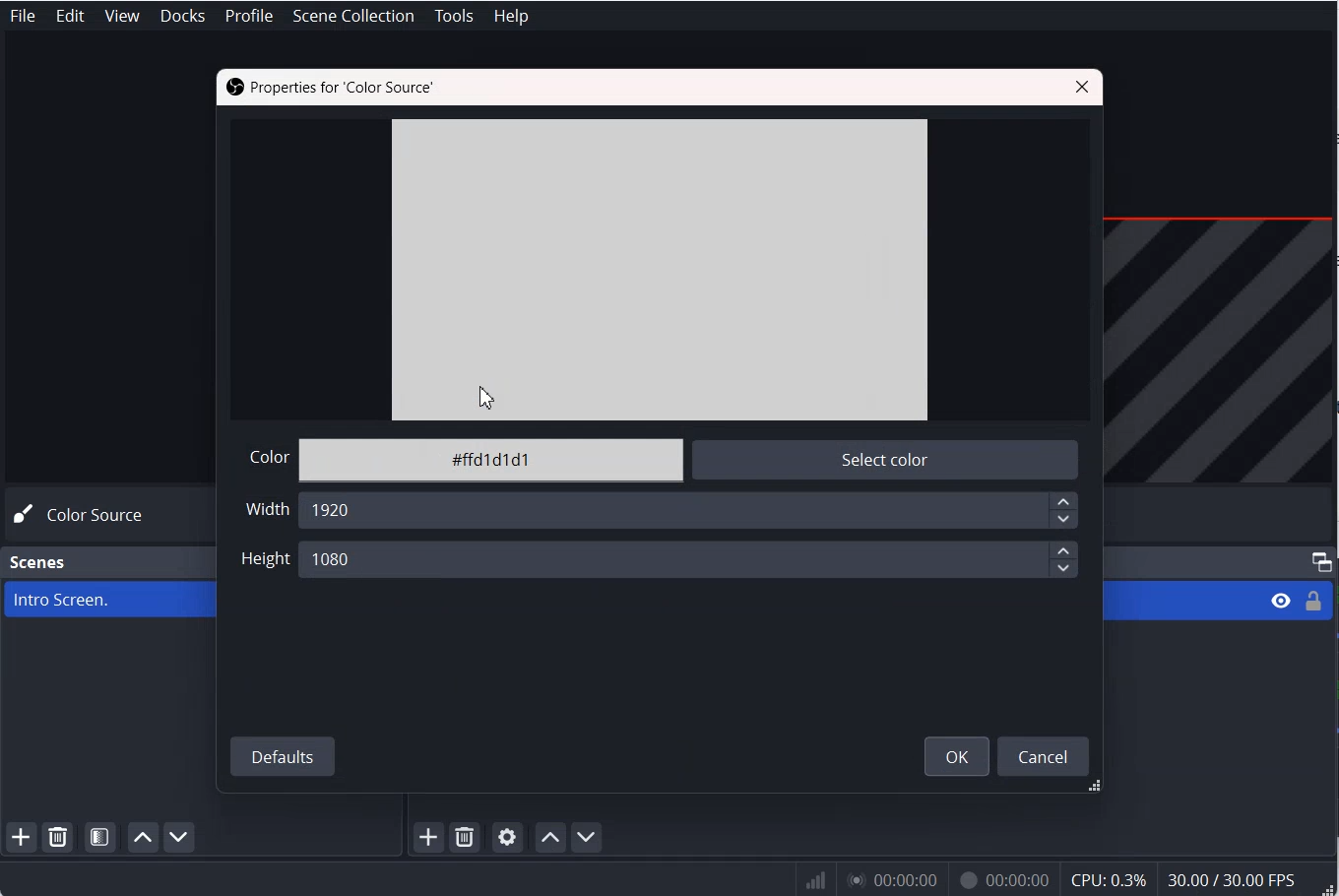 This screenshot has width=1339, height=896. What do you see at coordinates (85, 515) in the screenshot?
I see `Color Source` at bounding box center [85, 515].